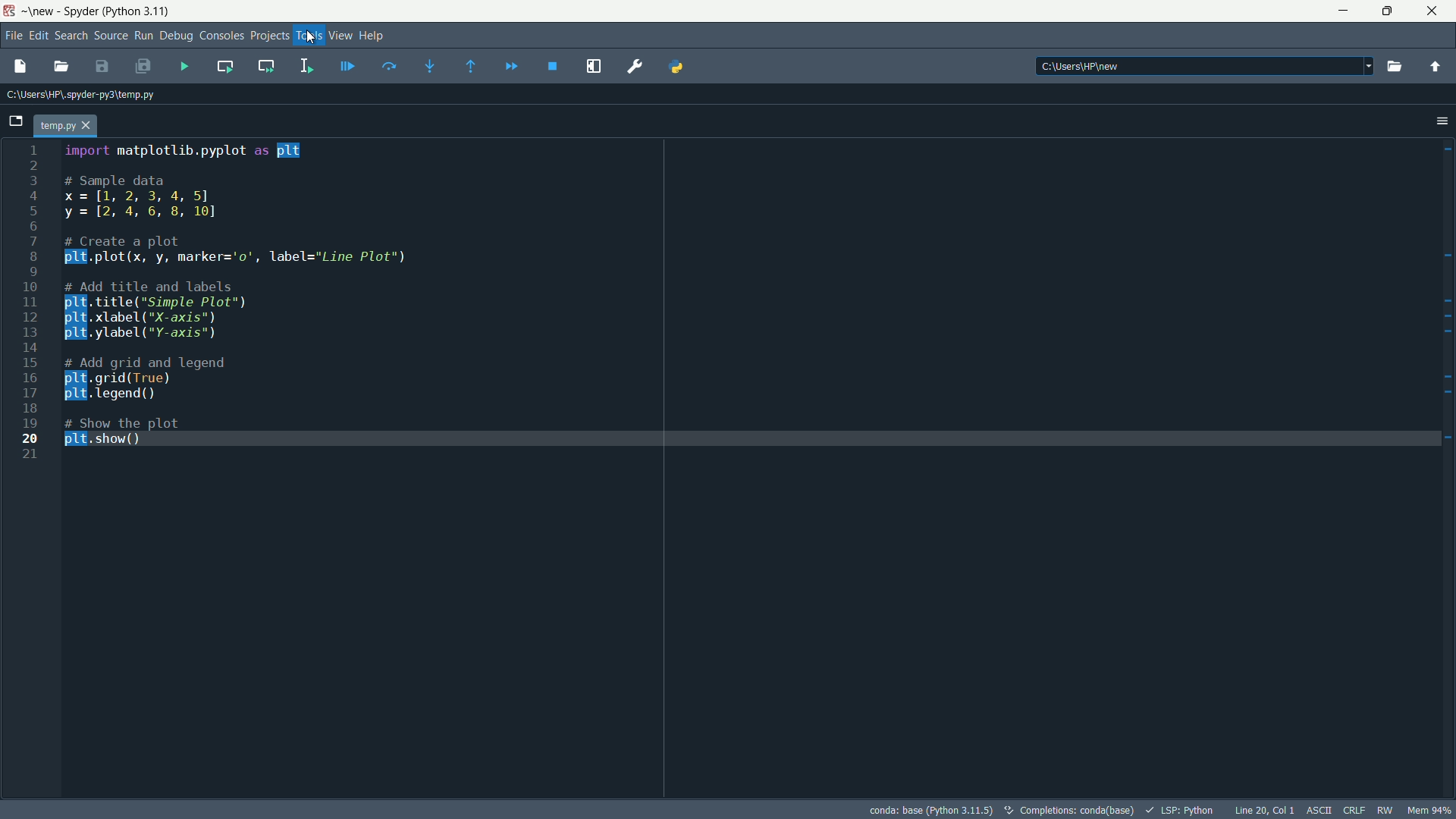 This screenshot has height=819, width=1456. I want to click on run current cell and go to the next one, so click(267, 65).